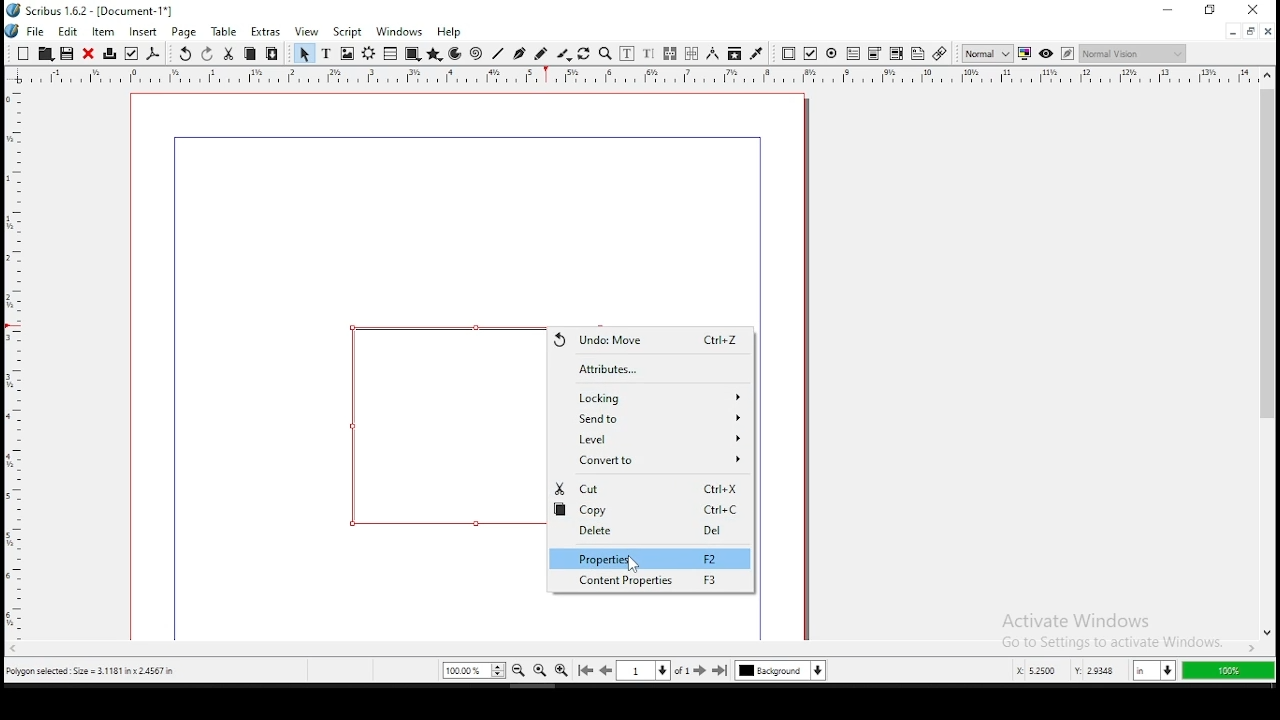  Describe the element at coordinates (44, 53) in the screenshot. I see `open` at that location.